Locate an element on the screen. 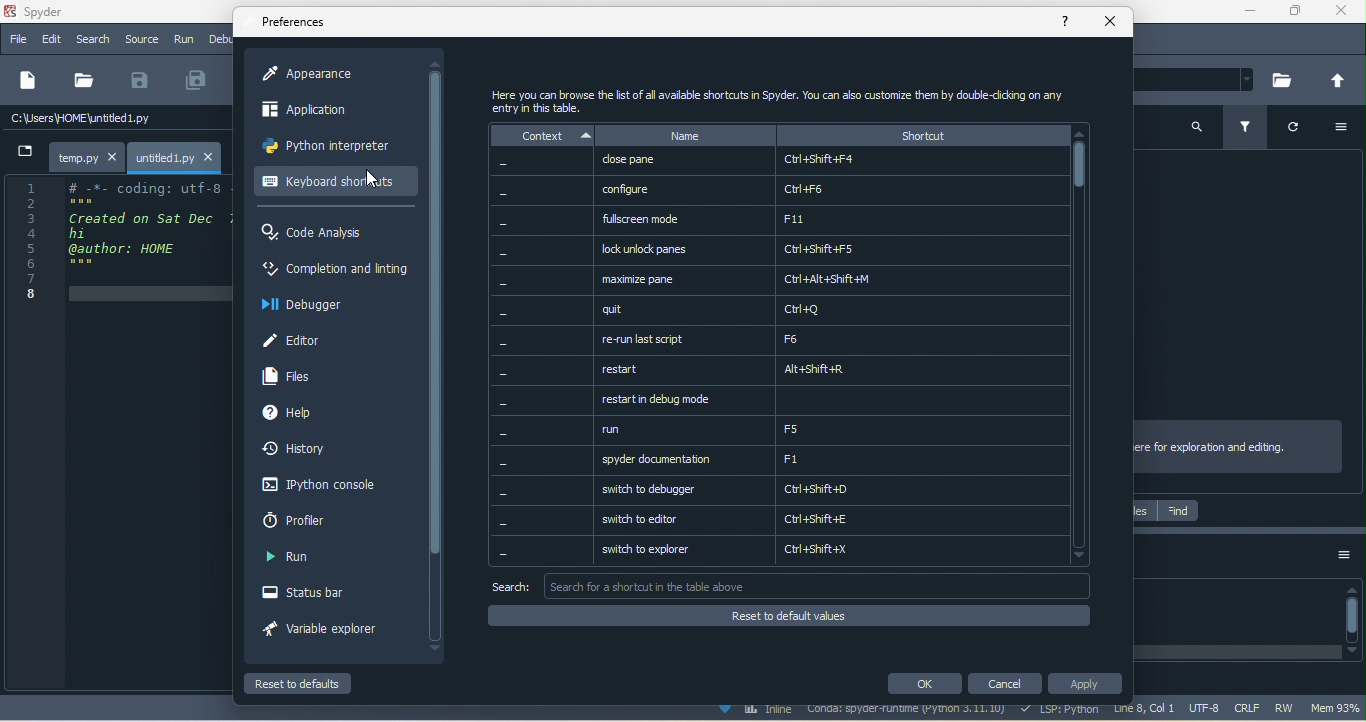 The image size is (1366, 722). help is located at coordinates (293, 416).